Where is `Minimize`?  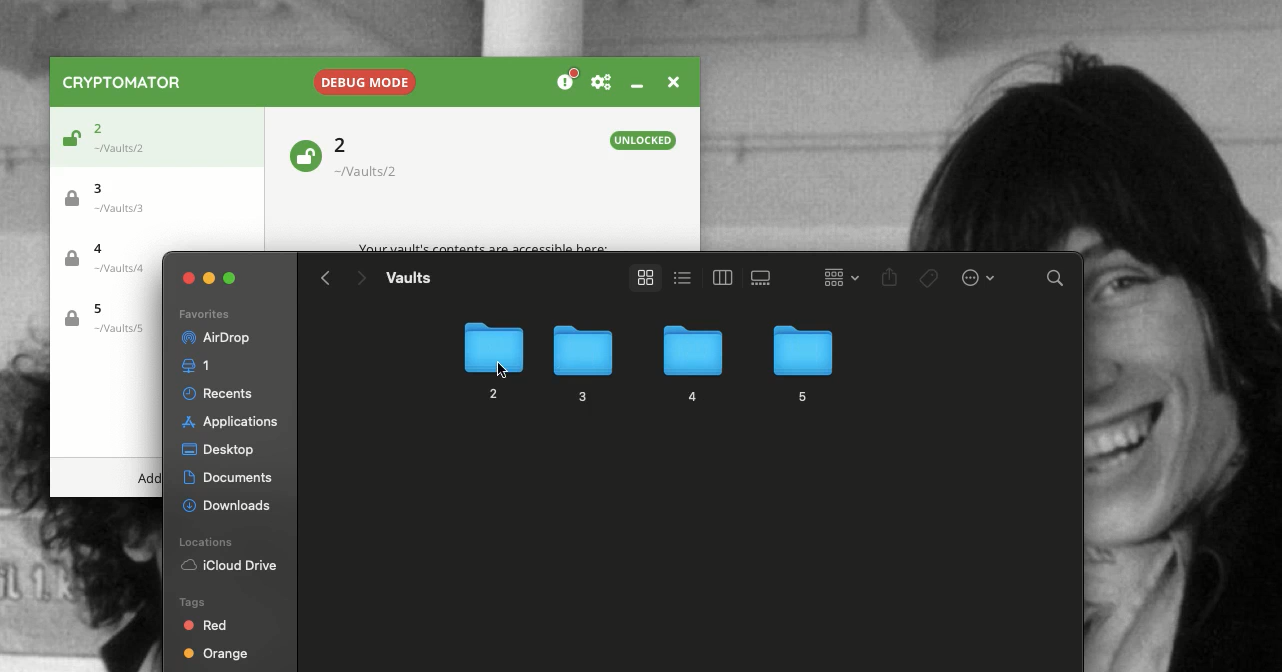
Minimize is located at coordinates (636, 85).